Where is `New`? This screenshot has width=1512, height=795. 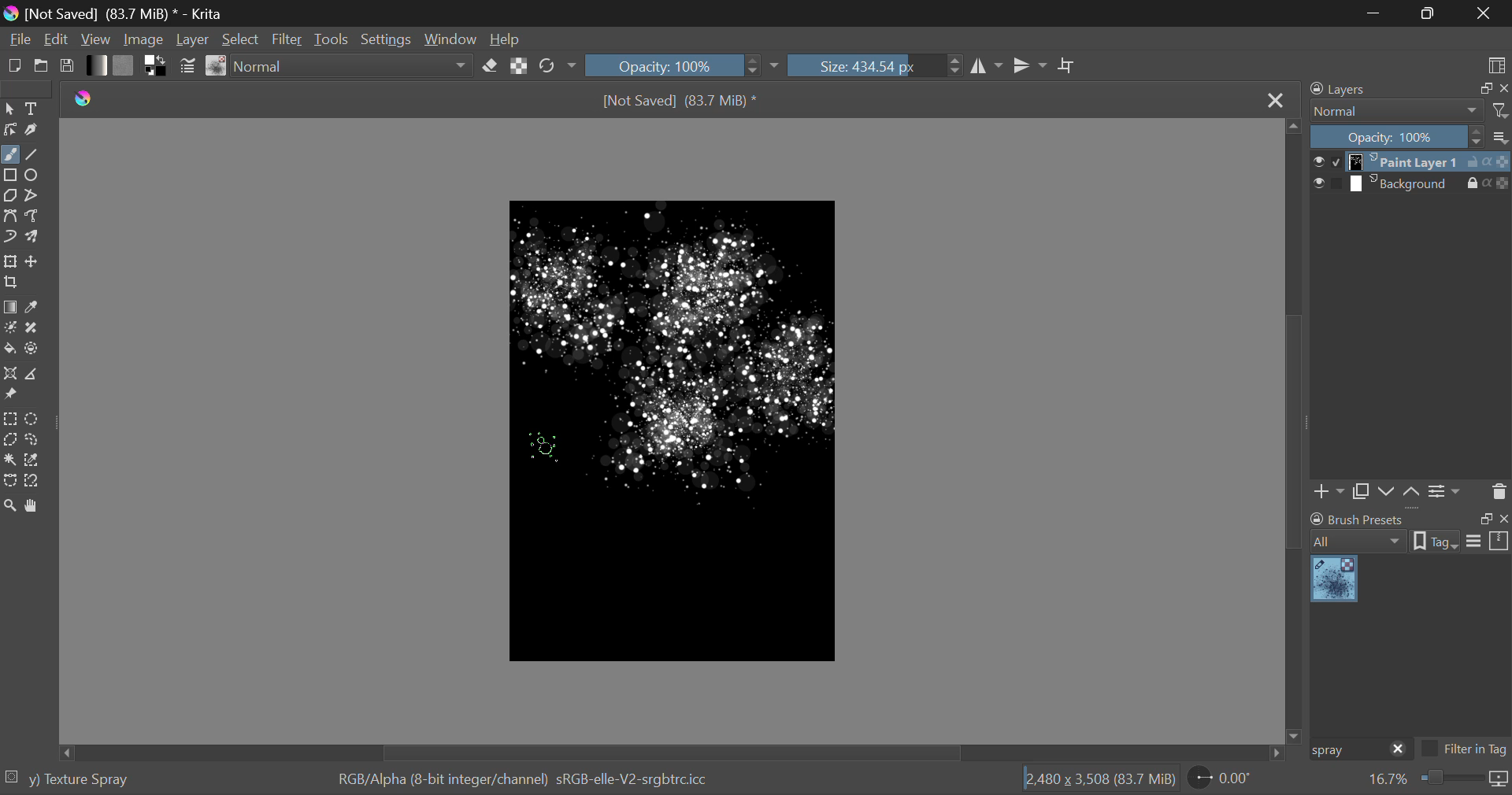
New is located at coordinates (14, 65).